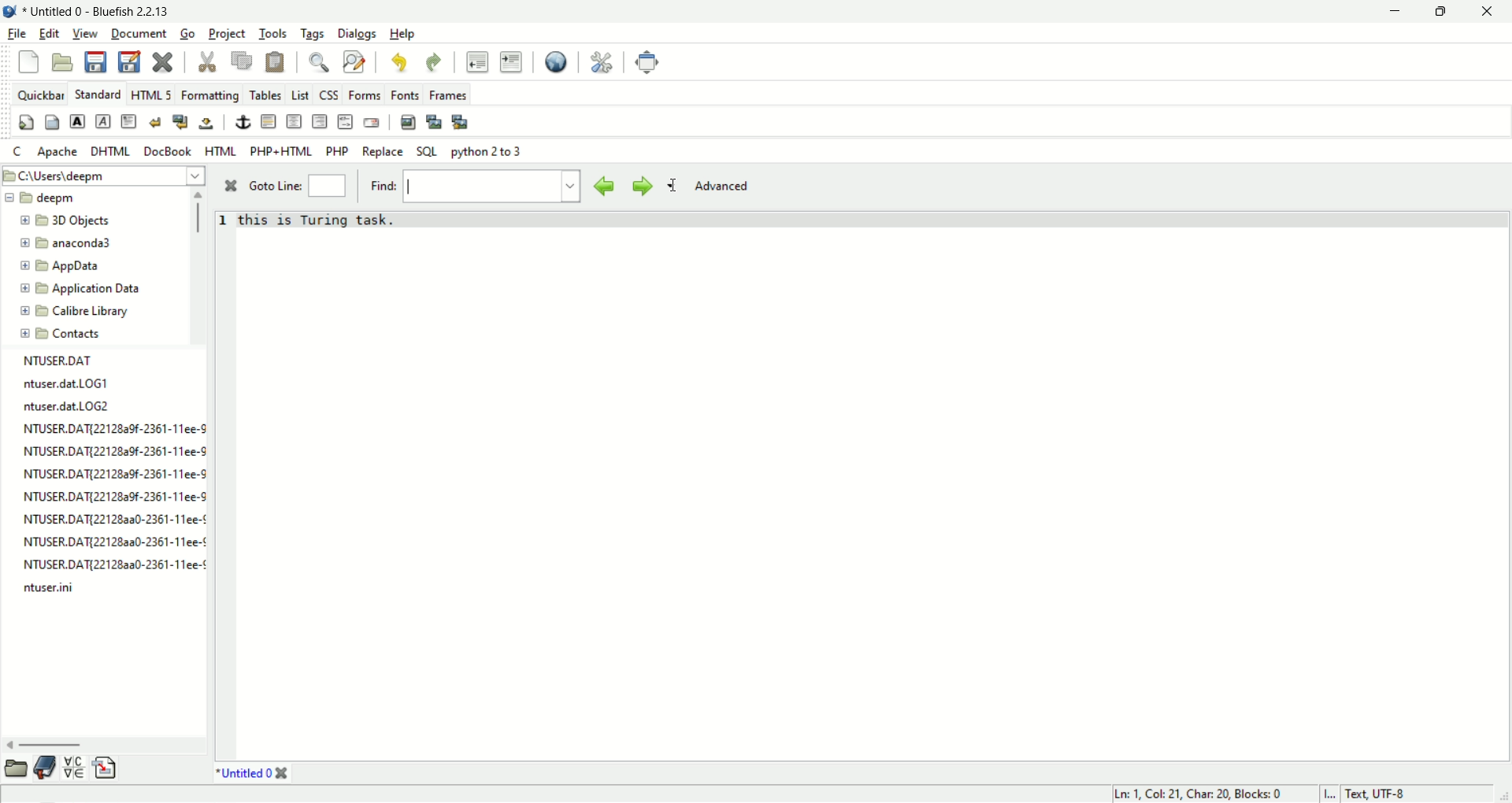 The width and height of the screenshot is (1512, 803). I want to click on AppData, so click(69, 267).